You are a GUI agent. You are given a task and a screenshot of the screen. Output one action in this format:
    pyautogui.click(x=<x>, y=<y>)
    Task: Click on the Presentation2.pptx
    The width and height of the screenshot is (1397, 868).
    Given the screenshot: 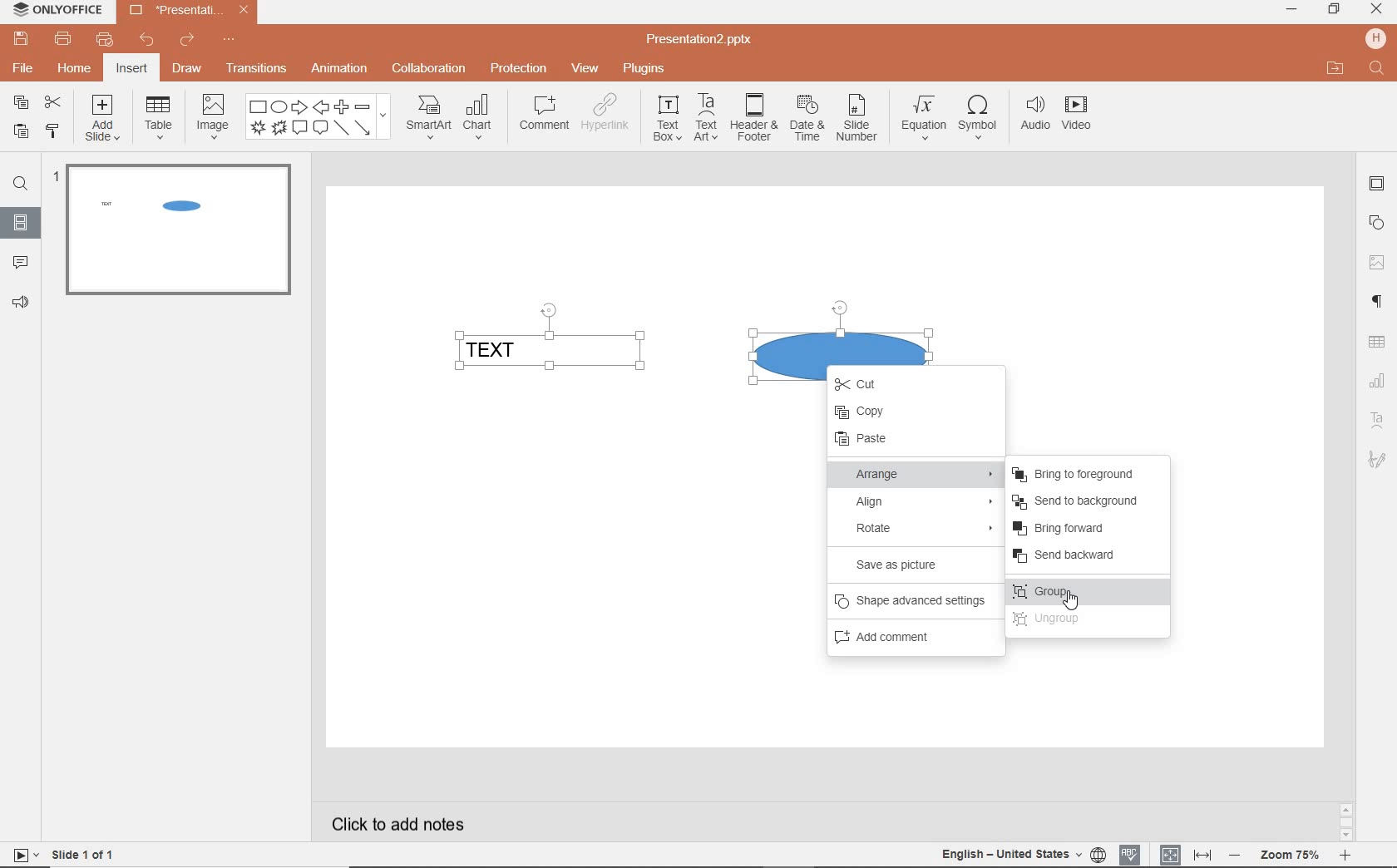 What is the action you would take?
    pyautogui.click(x=700, y=40)
    